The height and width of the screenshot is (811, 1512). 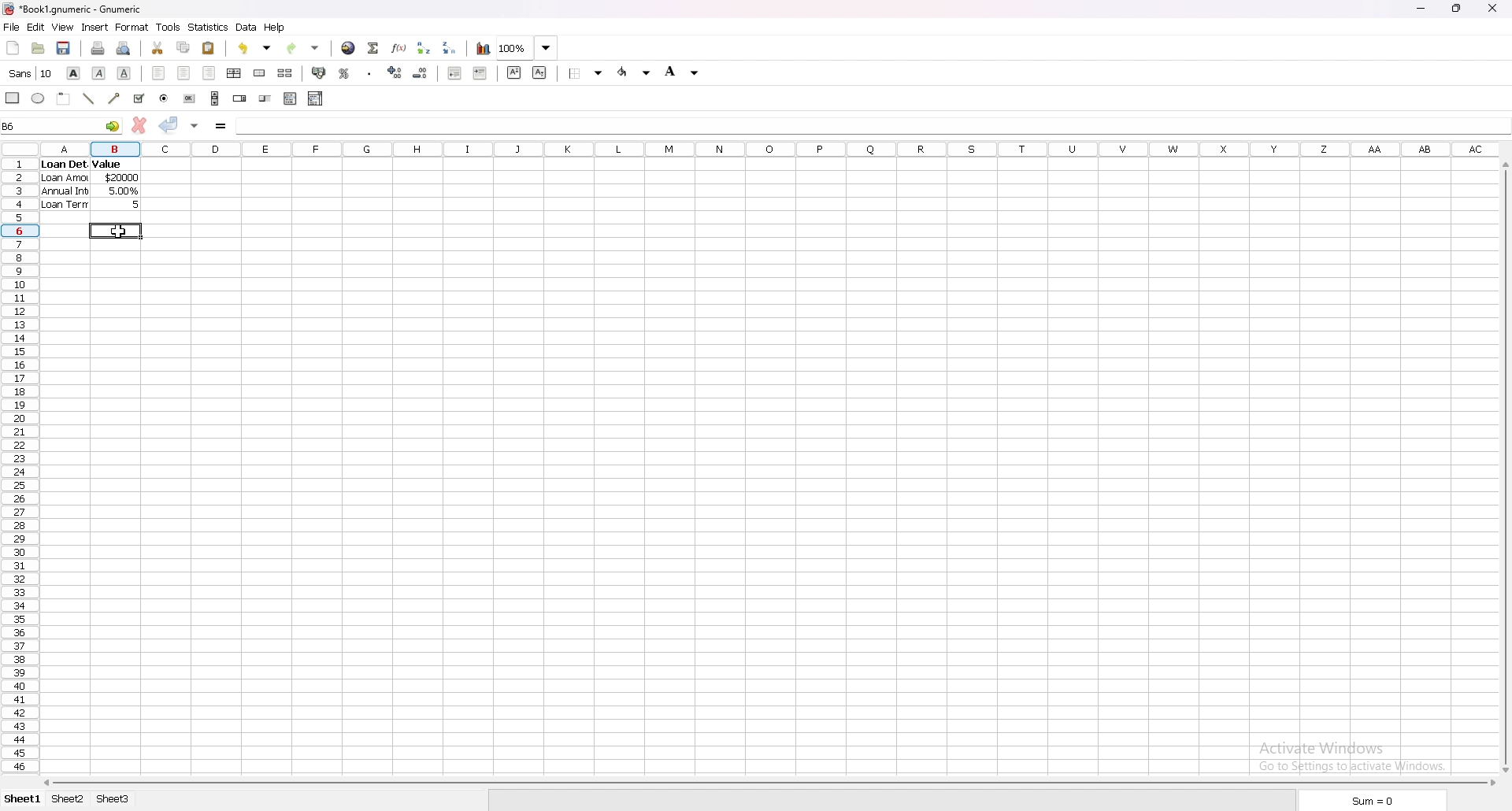 I want to click on arrowed line, so click(x=116, y=98).